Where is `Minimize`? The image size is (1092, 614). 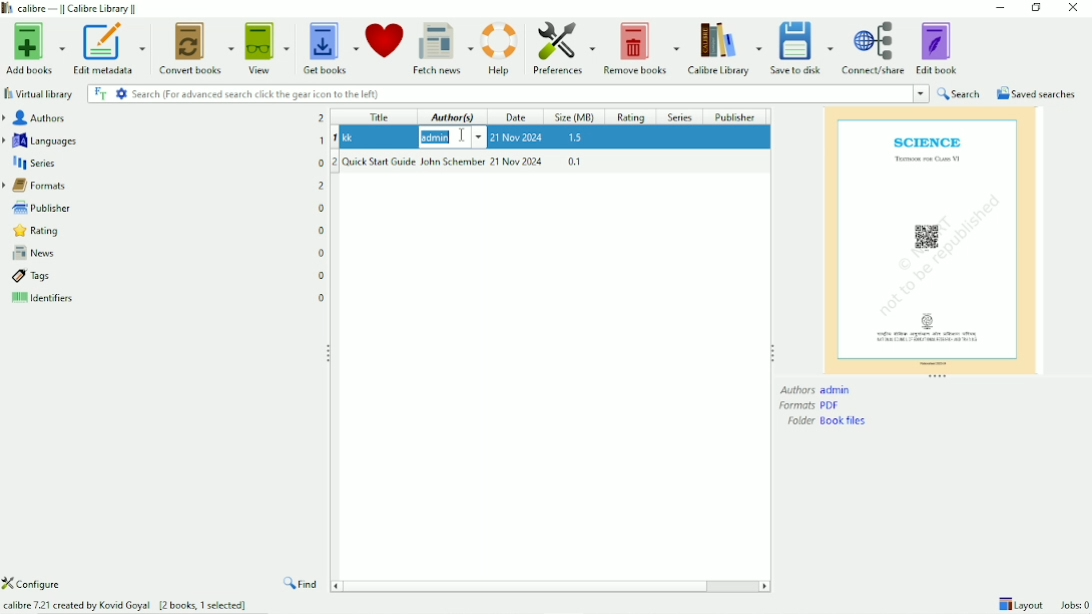
Minimize is located at coordinates (1001, 7).